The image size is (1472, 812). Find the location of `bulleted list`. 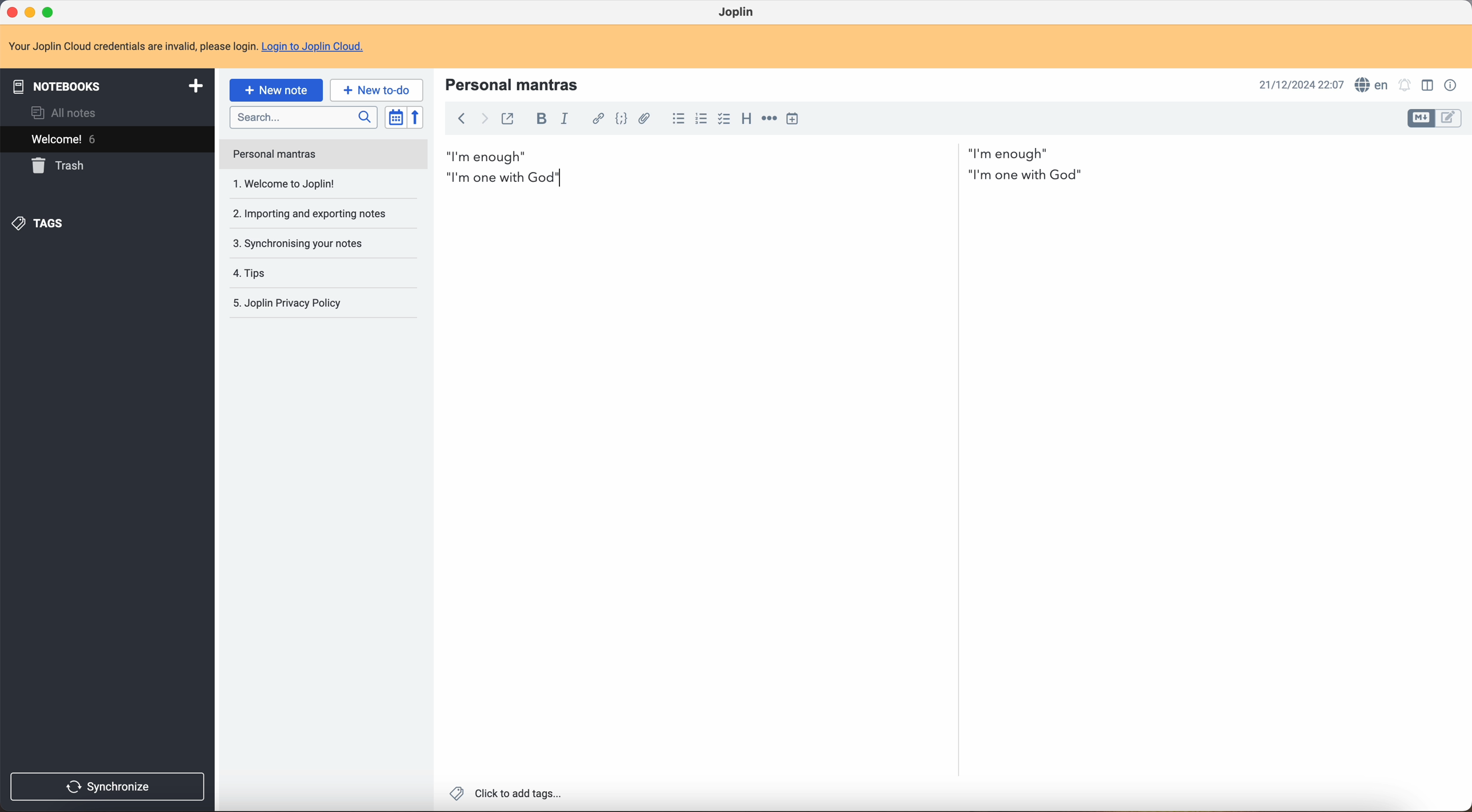

bulleted list is located at coordinates (678, 119).